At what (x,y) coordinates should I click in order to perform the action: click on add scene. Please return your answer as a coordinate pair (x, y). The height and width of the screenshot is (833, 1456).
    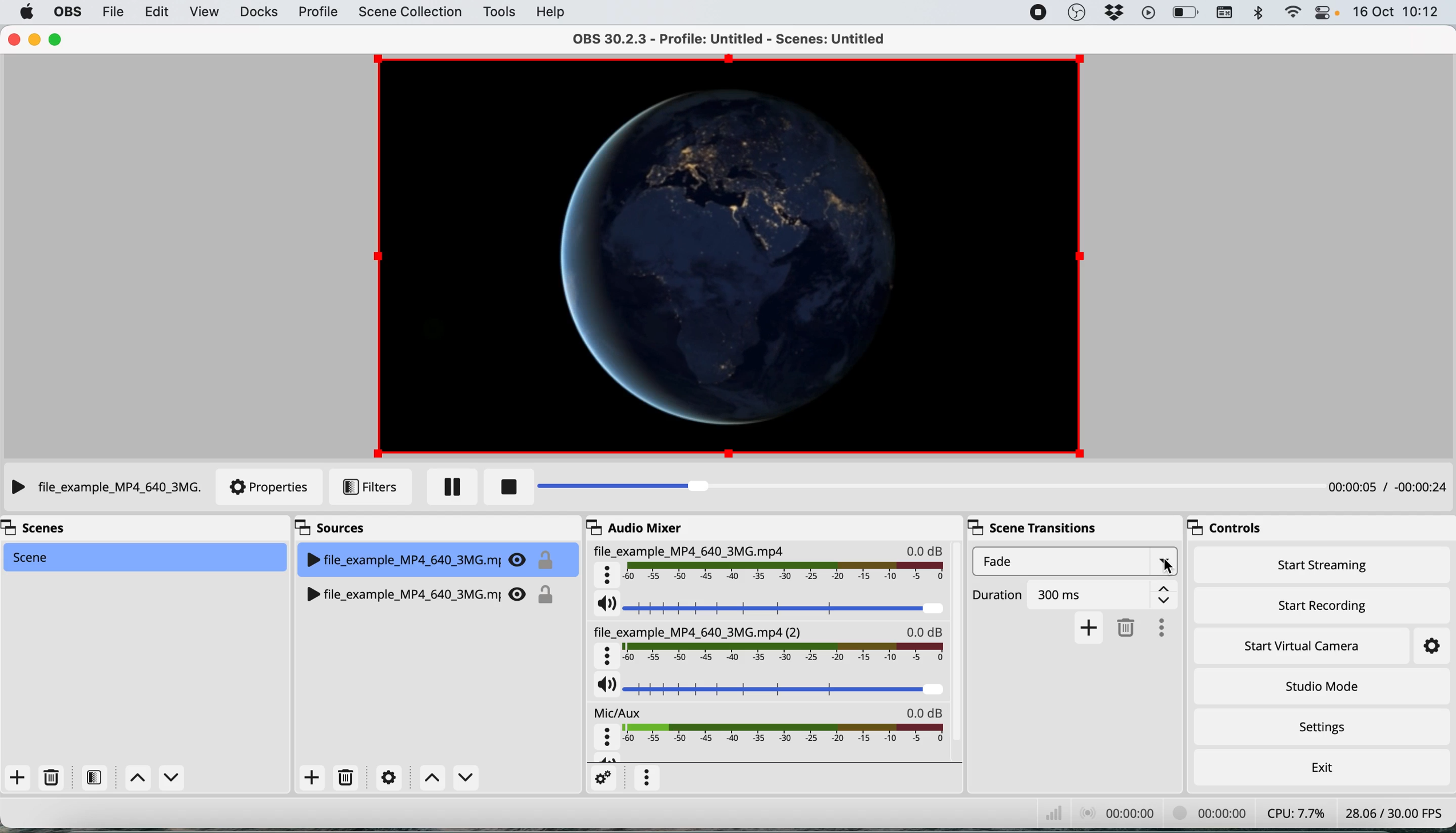
    Looking at the image, I should click on (17, 776).